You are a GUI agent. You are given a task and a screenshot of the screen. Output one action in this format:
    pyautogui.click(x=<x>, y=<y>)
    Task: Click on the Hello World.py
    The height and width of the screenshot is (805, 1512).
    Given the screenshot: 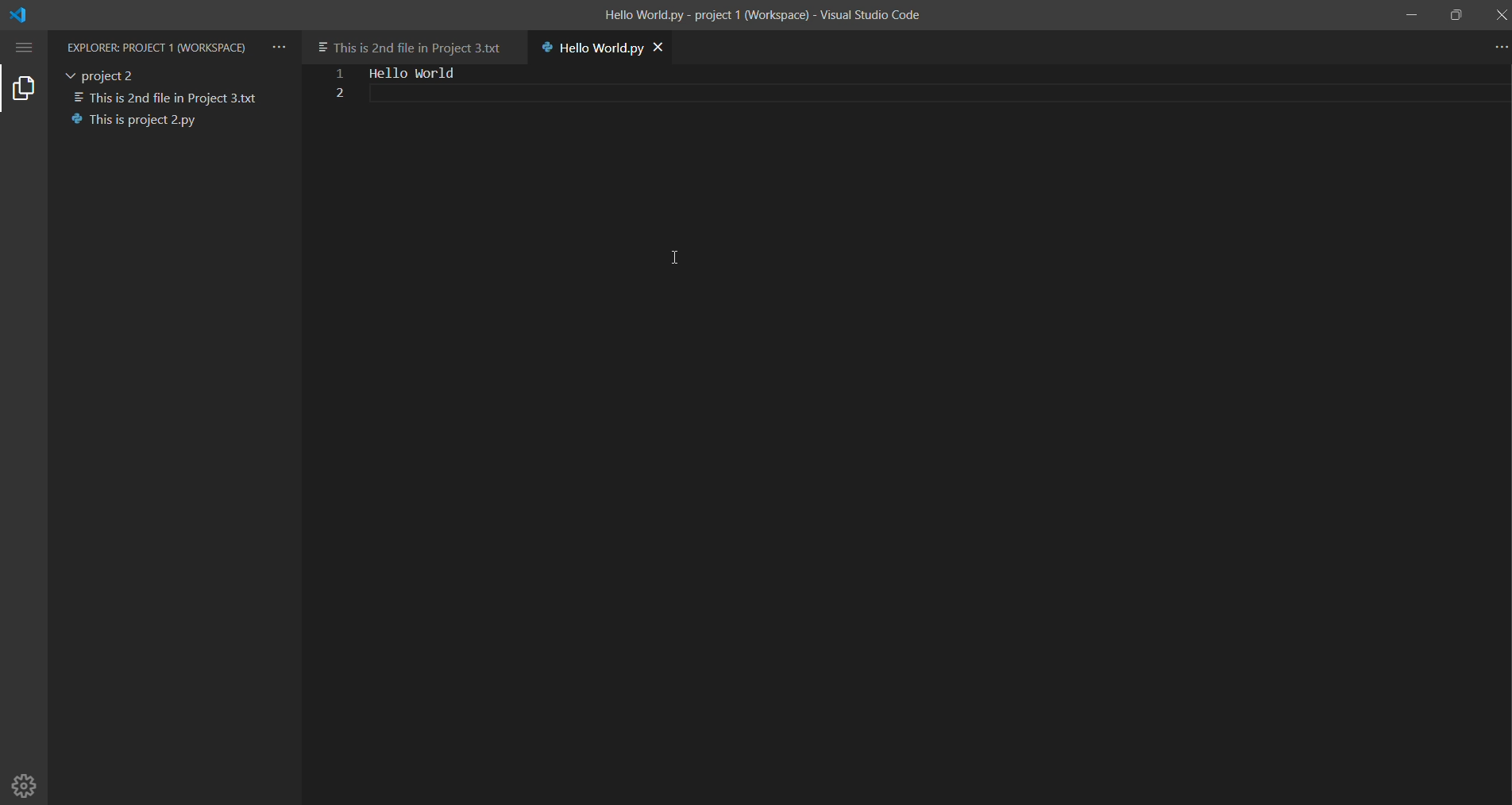 What is the action you would take?
    pyautogui.click(x=586, y=50)
    